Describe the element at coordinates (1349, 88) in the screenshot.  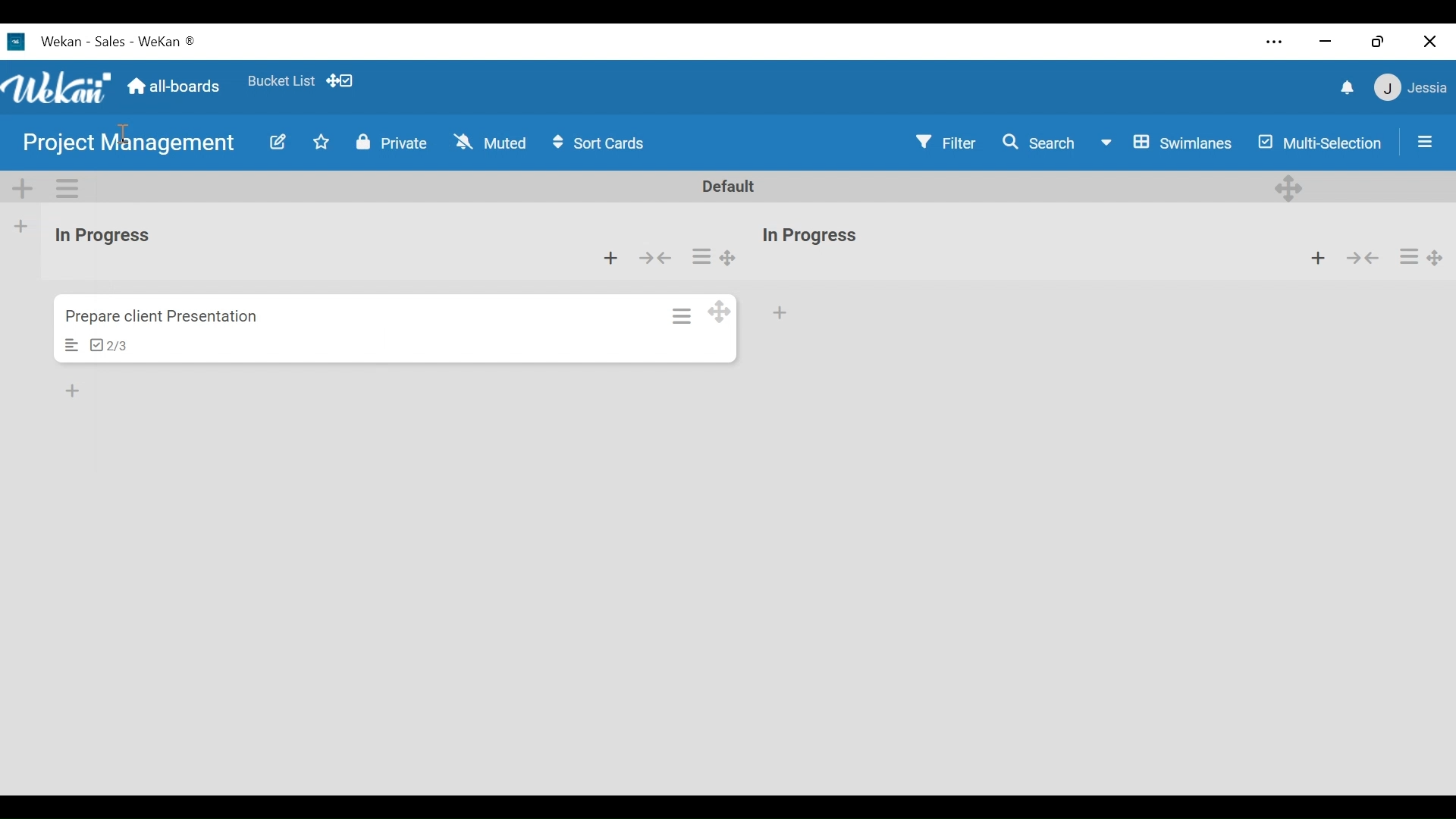
I see `notifications` at that location.